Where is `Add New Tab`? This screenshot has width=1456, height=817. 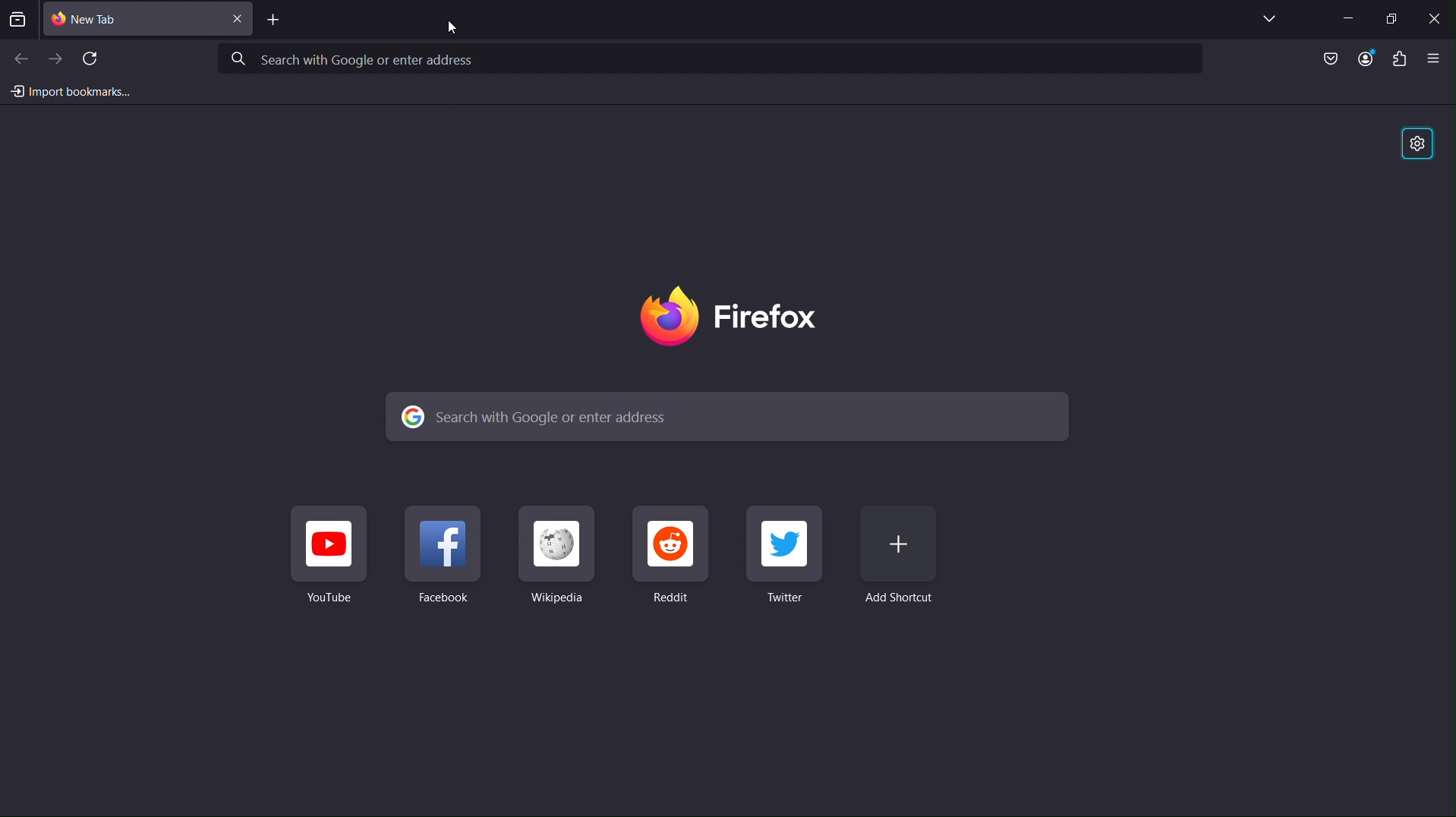 Add New Tab is located at coordinates (277, 21).